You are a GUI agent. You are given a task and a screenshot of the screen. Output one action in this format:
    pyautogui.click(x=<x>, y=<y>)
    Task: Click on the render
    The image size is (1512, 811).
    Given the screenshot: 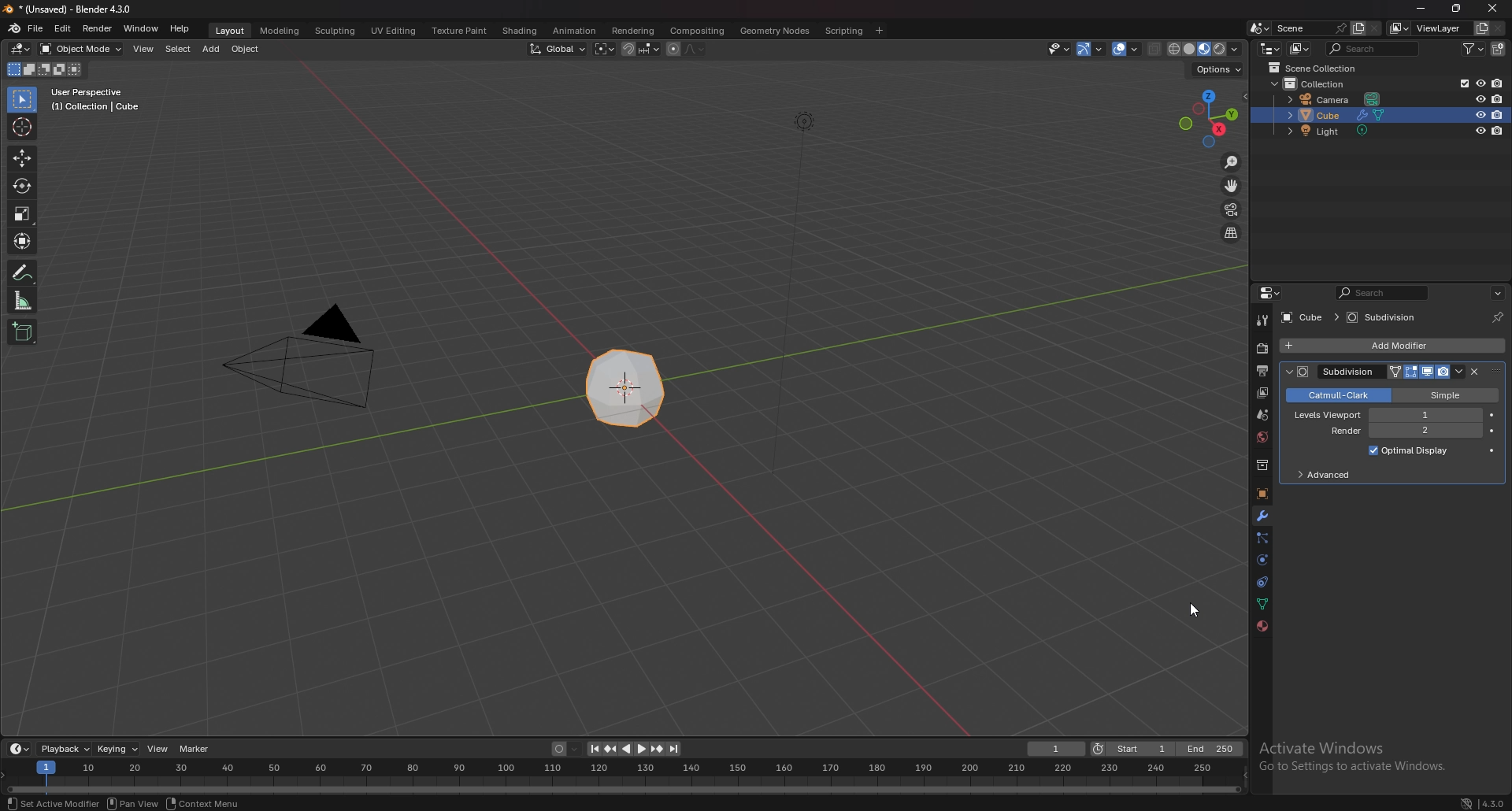 What is the action you would take?
    pyautogui.click(x=1260, y=349)
    